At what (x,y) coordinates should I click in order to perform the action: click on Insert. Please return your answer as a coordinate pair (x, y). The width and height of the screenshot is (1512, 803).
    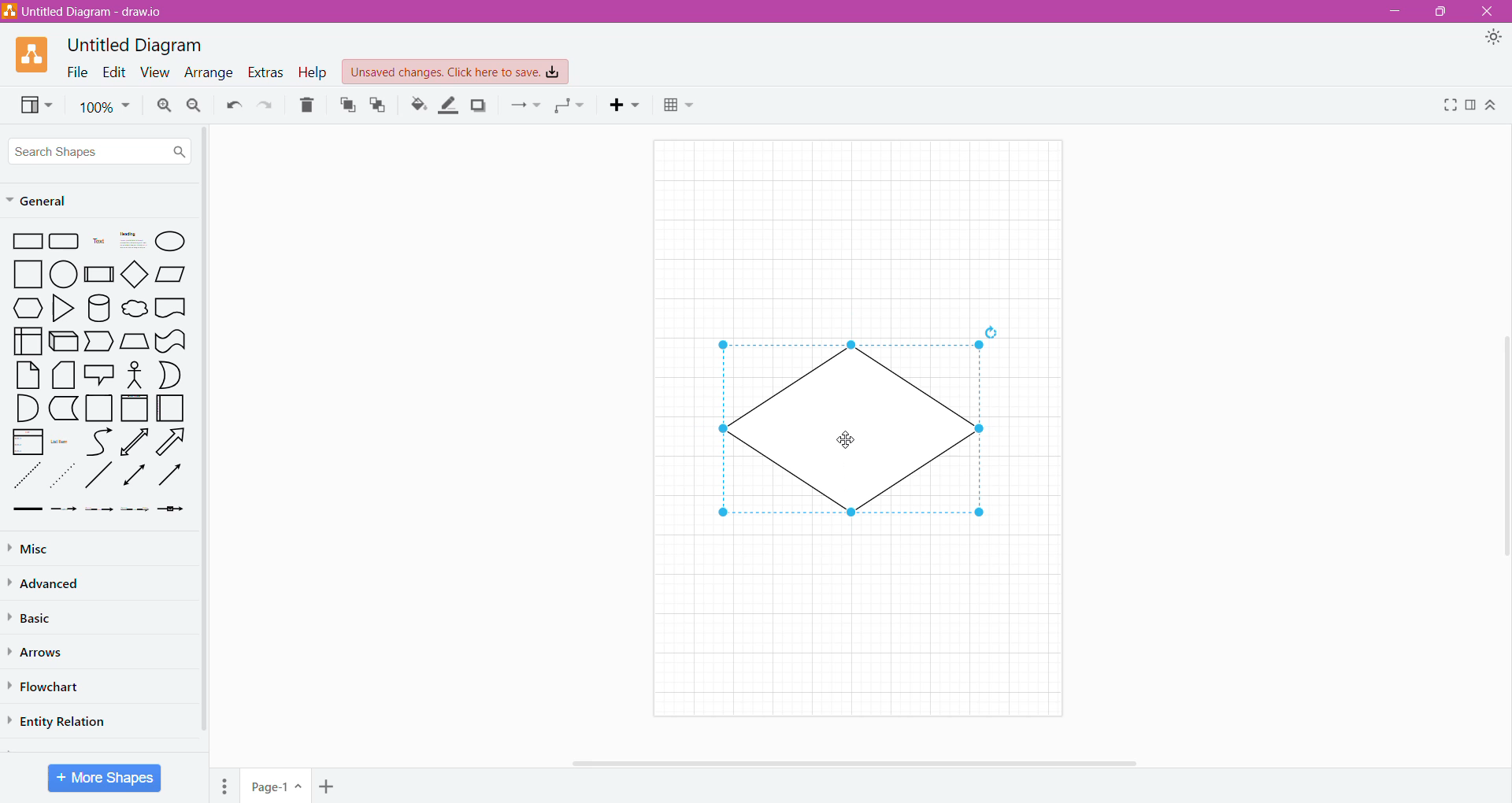
    Looking at the image, I should click on (628, 105).